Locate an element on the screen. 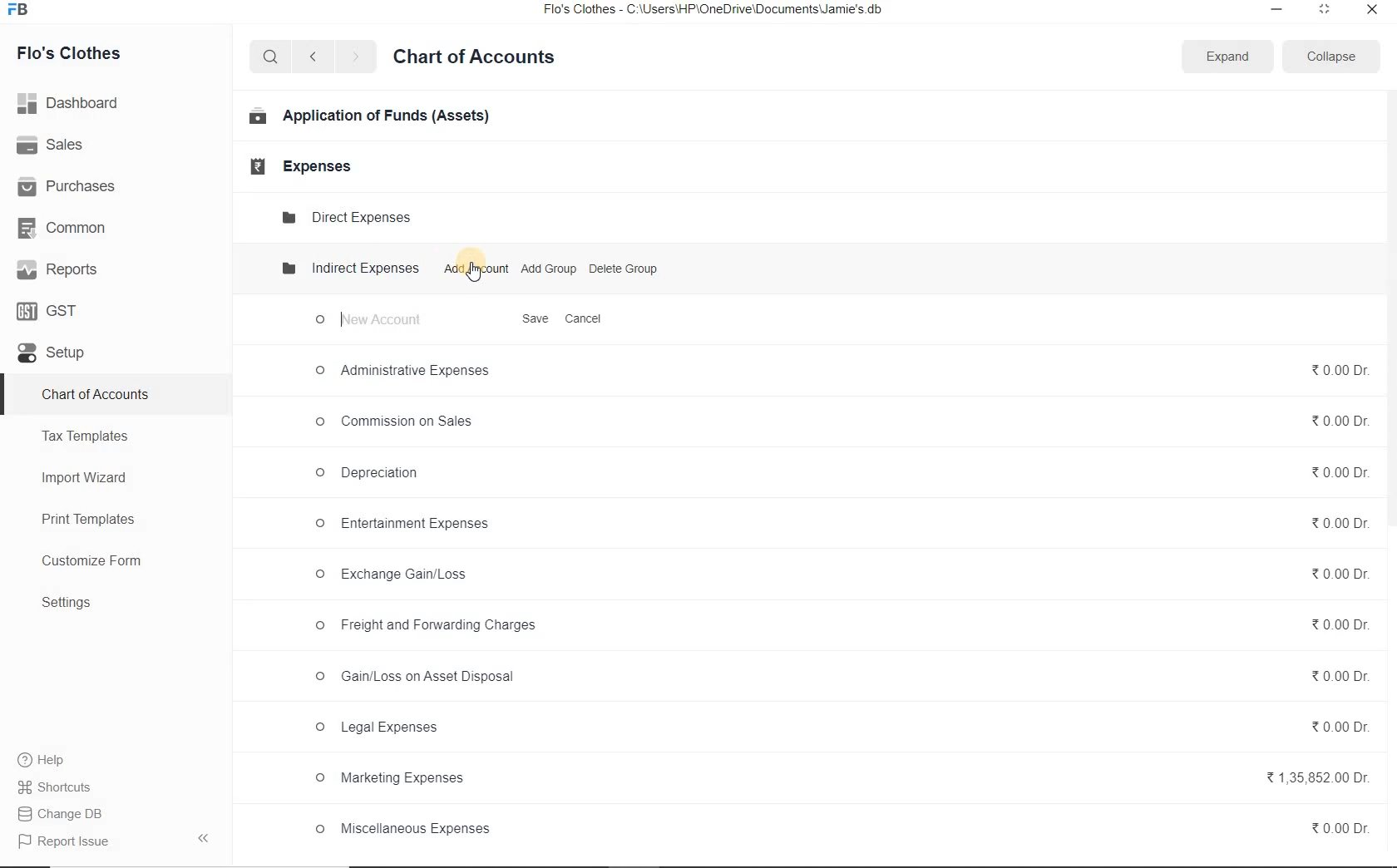 The width and height of the screenshot is (1397, 868). set up is located at coordinates (52, 354).